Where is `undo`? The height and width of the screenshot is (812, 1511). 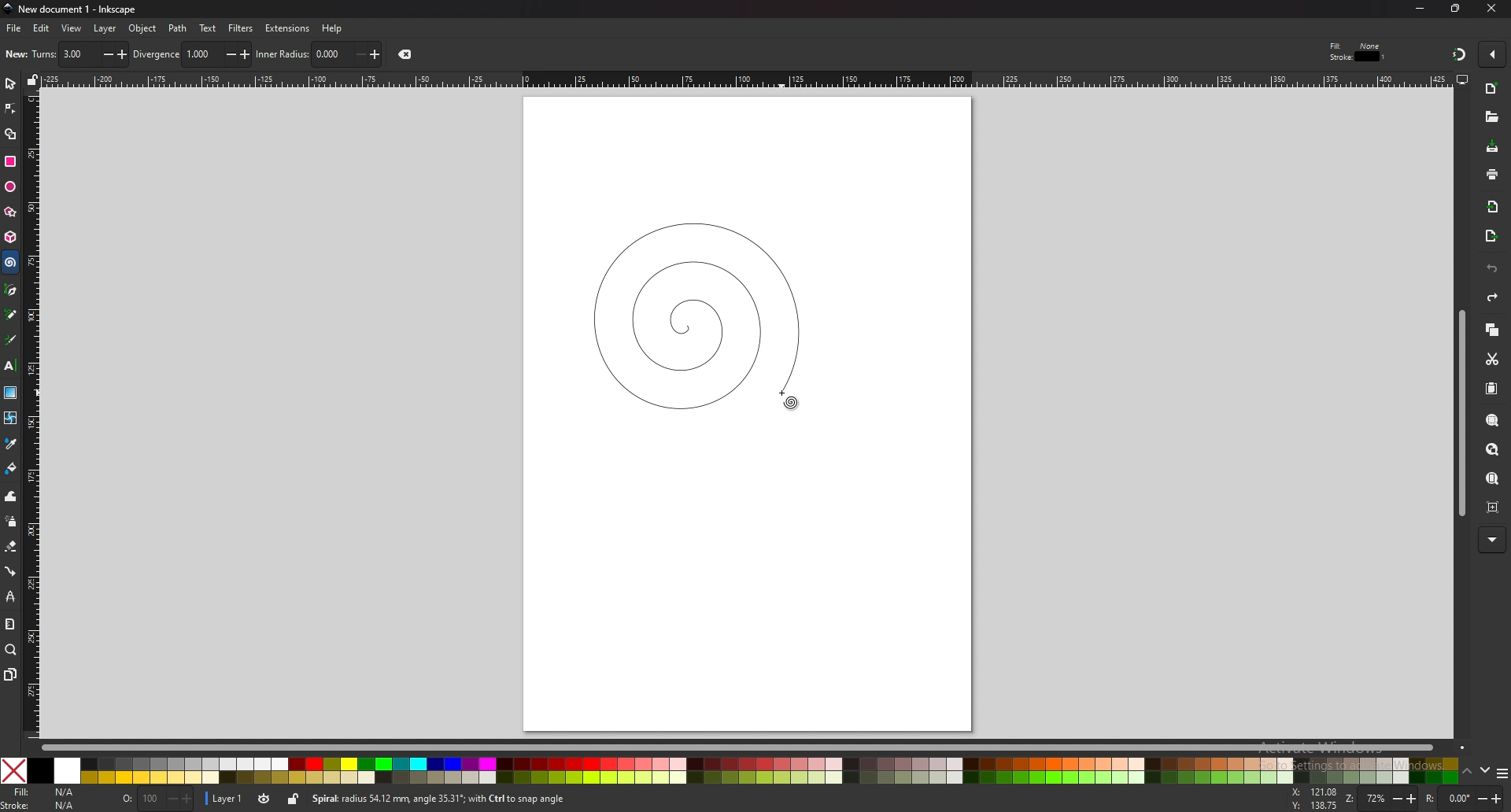 undo is located at coordinates (1492, 268).